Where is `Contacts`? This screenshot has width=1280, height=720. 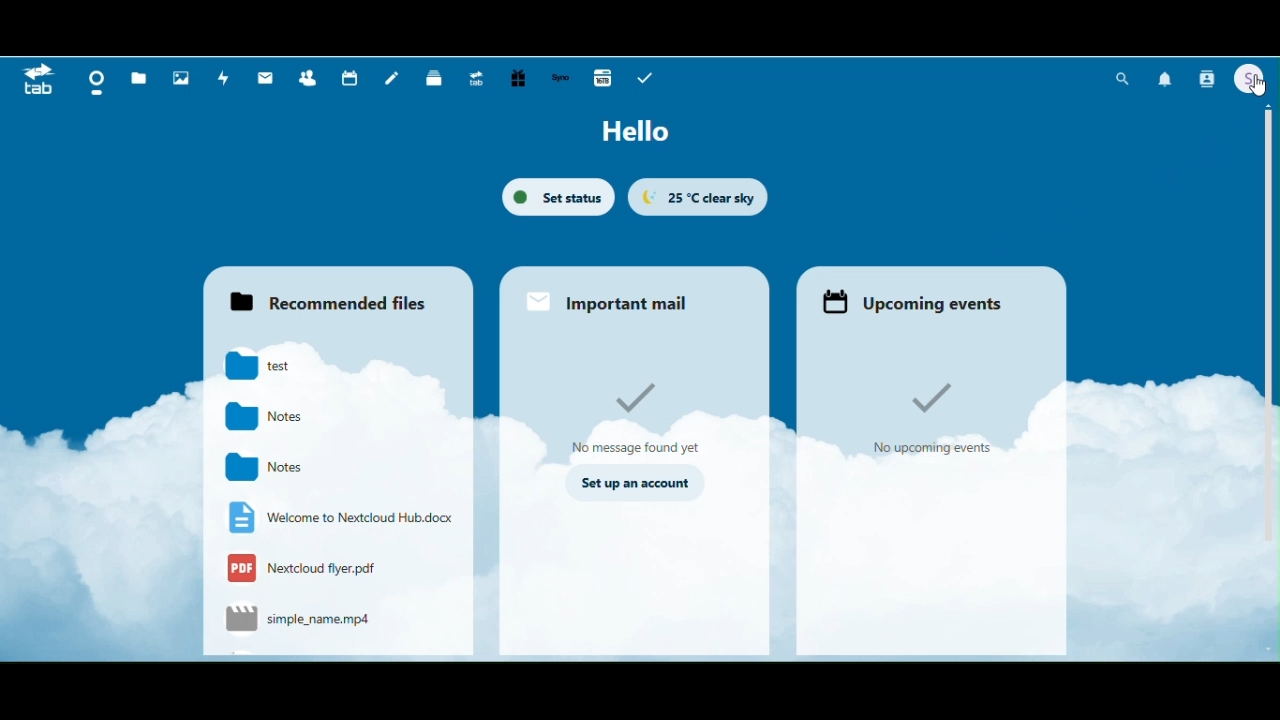 Contacts is located at coordinates (310, 78).